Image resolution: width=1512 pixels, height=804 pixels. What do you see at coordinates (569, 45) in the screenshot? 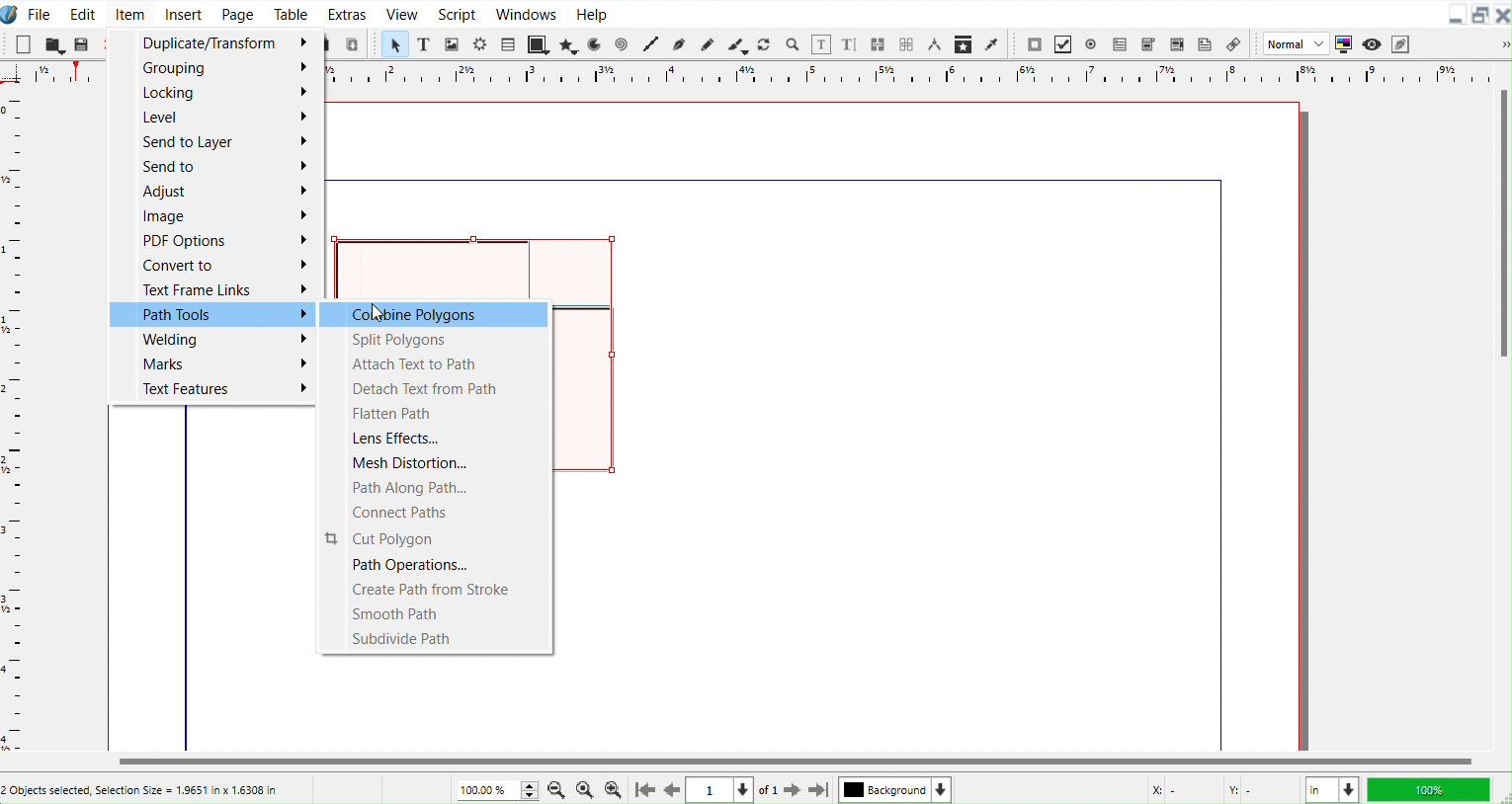
I see `Polygon` at bounding box center [569, 45].